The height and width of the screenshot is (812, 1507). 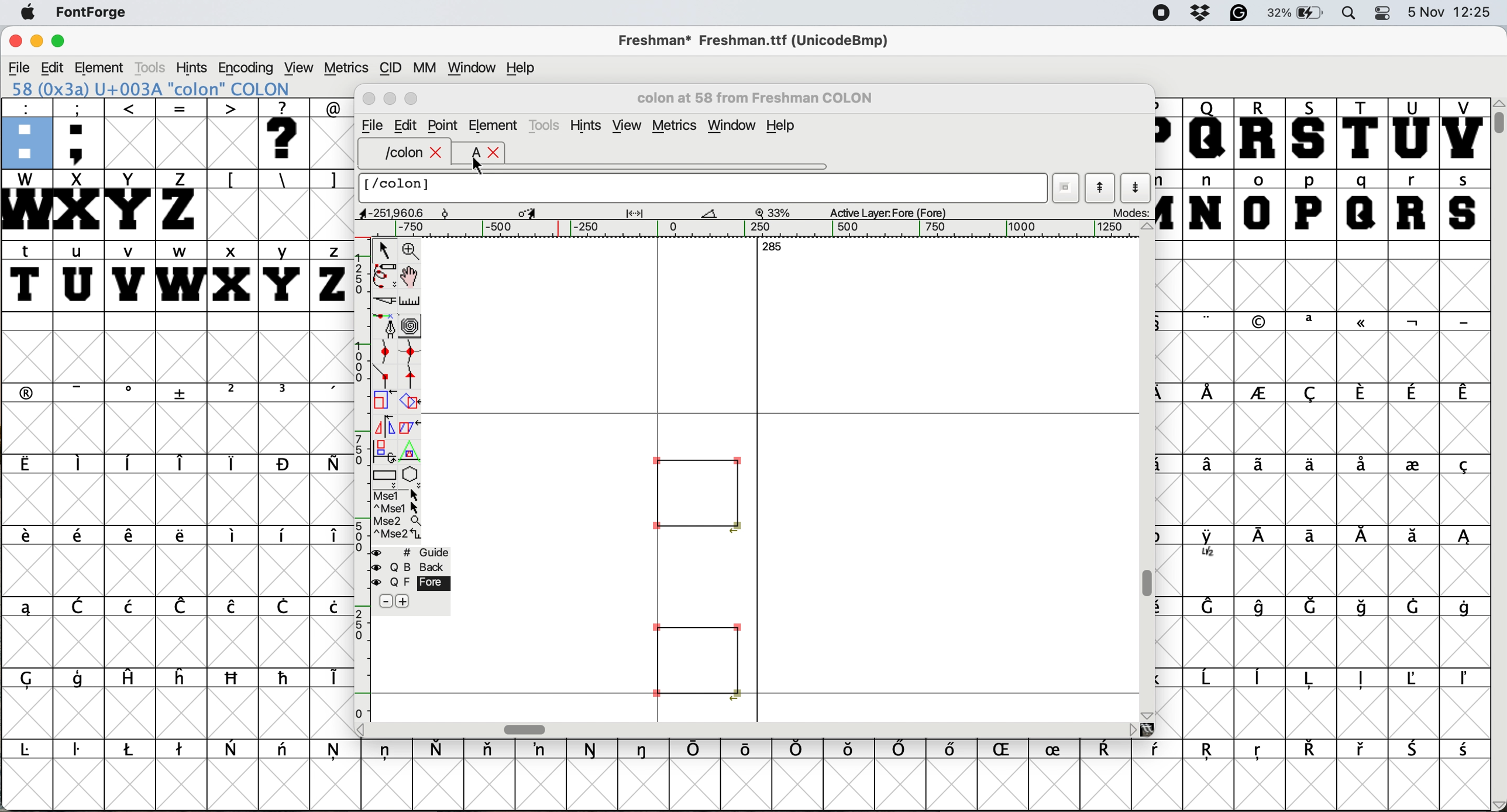 What do you see at coordinates (32, 750) in the screenshot?
I see `symbol` at bounding box center [32, 750].